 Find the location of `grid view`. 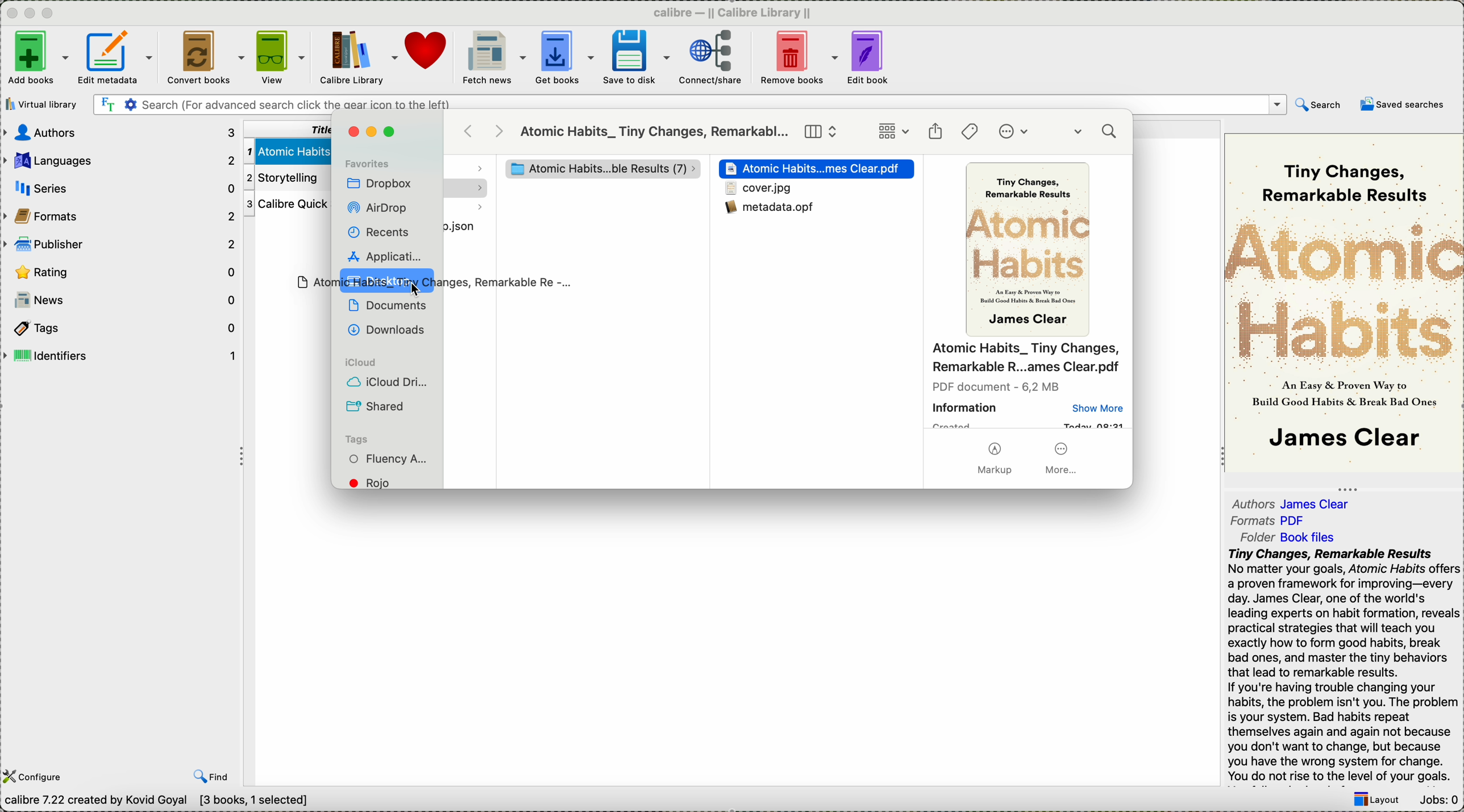

grid view is located at coordinates (893, 132).